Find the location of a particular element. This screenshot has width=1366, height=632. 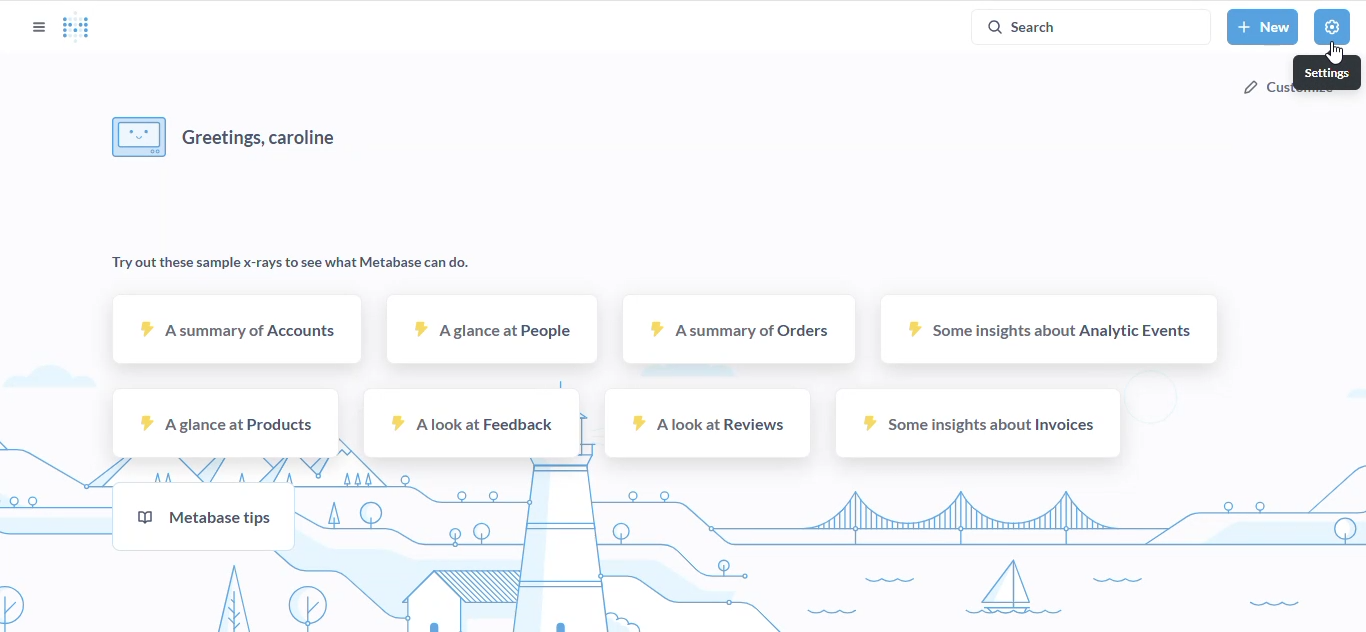

settings is located at coordinates (1327, 72).